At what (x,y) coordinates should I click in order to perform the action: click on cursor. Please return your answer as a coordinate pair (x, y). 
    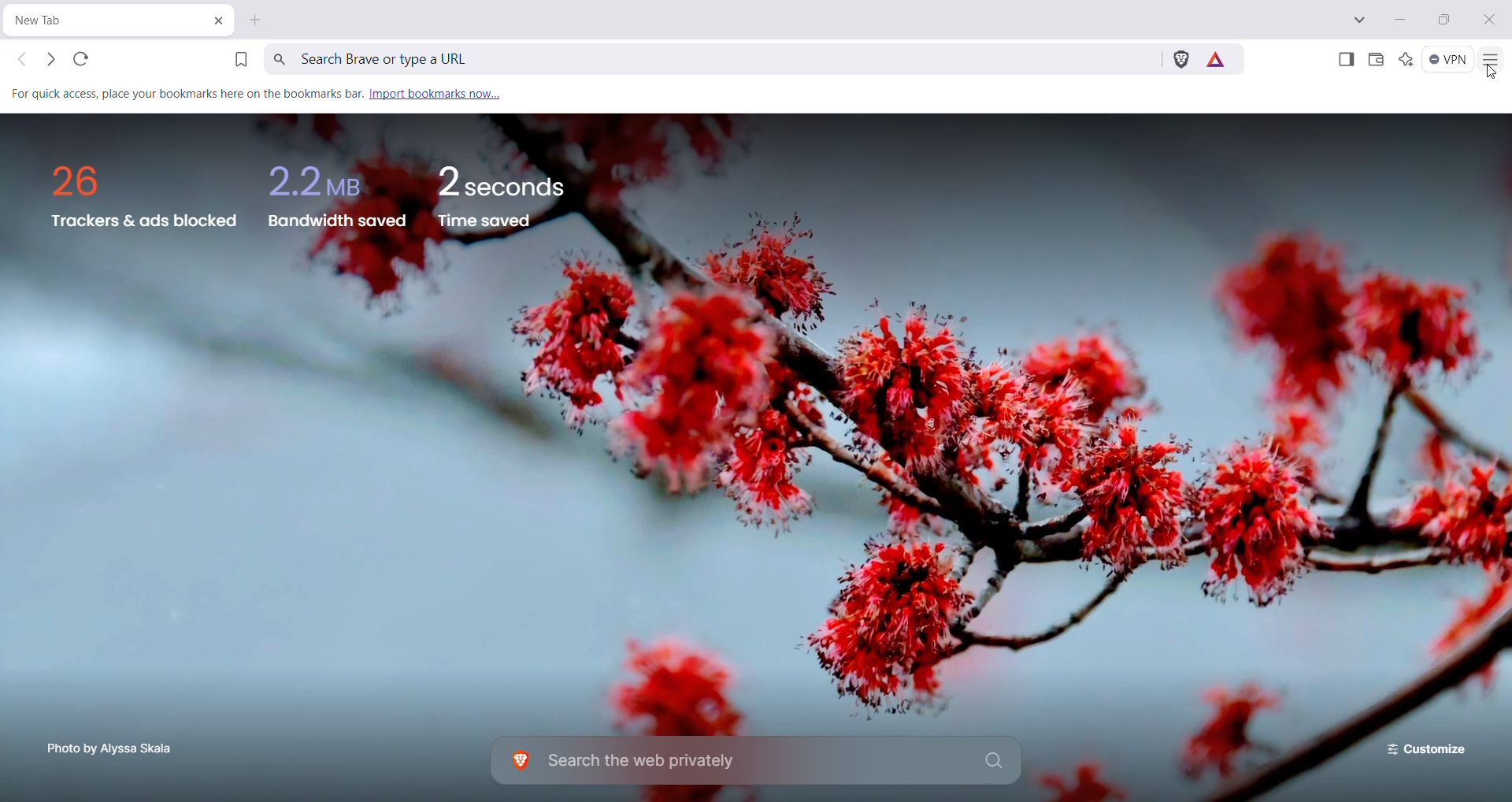
    Looking at the image, I should click on (1490, 75).